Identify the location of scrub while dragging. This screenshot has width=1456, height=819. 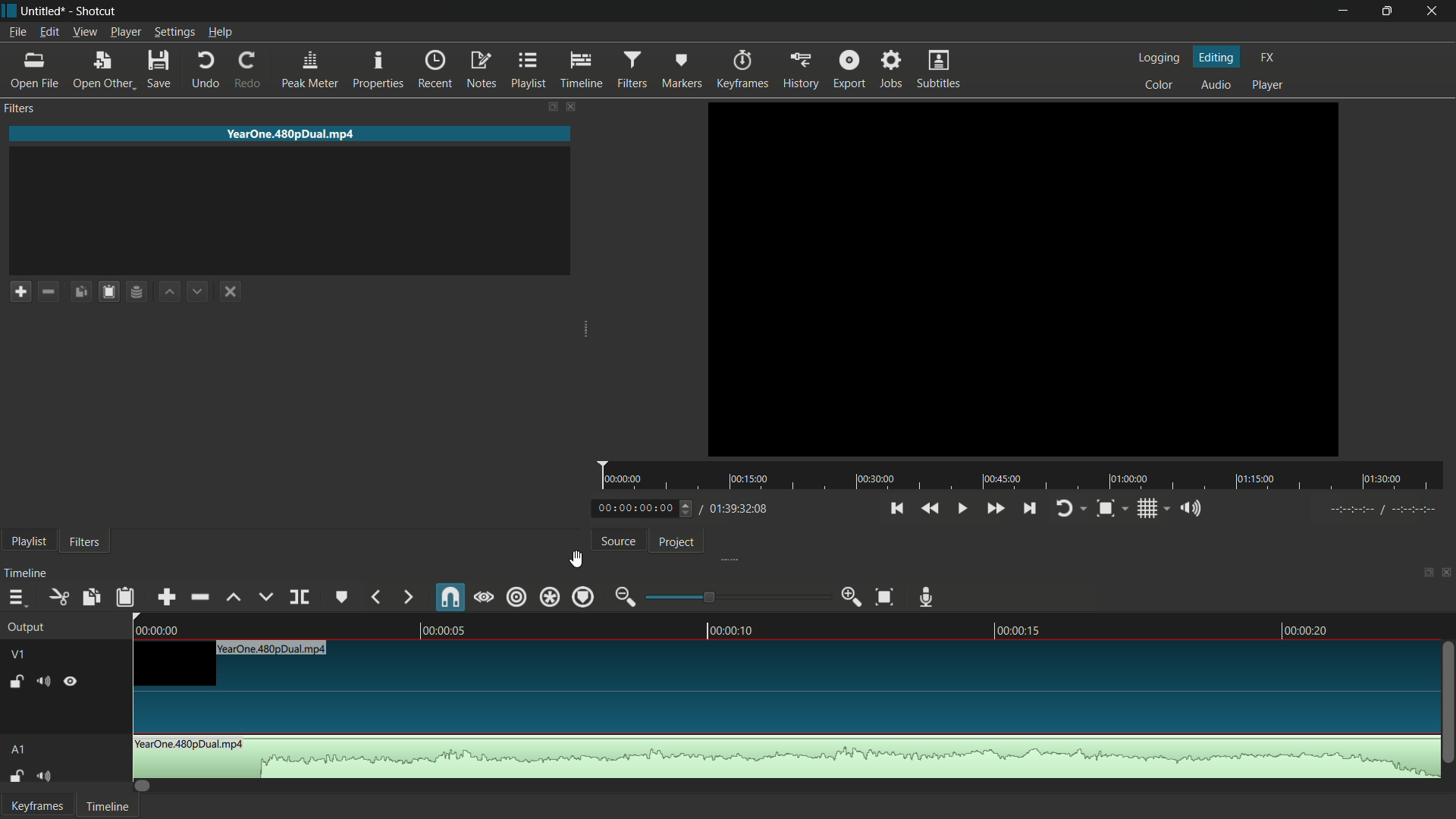
(485, 597).